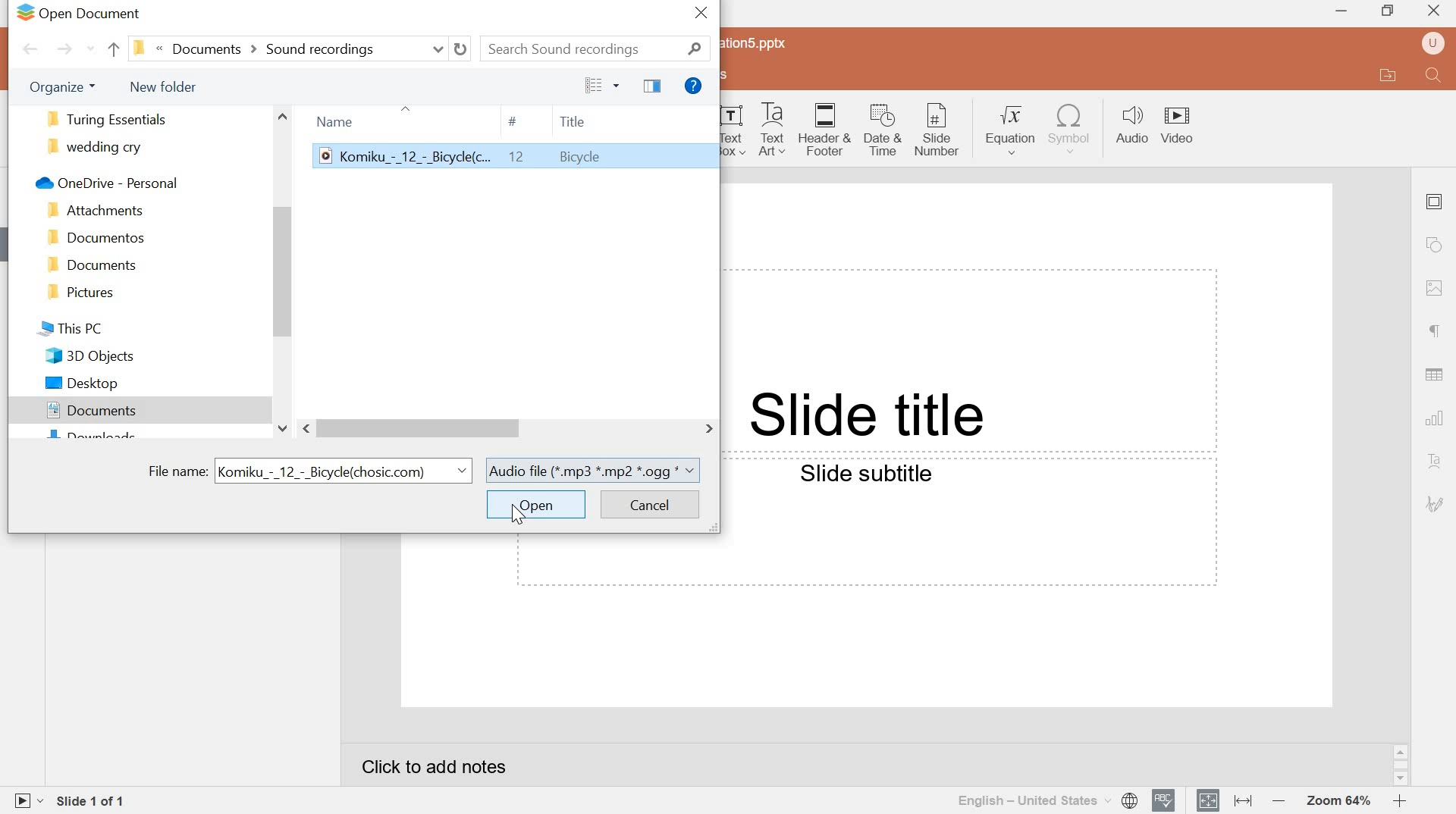 The image size is (1456, 814). I want to click on more options, so click(620, 83).